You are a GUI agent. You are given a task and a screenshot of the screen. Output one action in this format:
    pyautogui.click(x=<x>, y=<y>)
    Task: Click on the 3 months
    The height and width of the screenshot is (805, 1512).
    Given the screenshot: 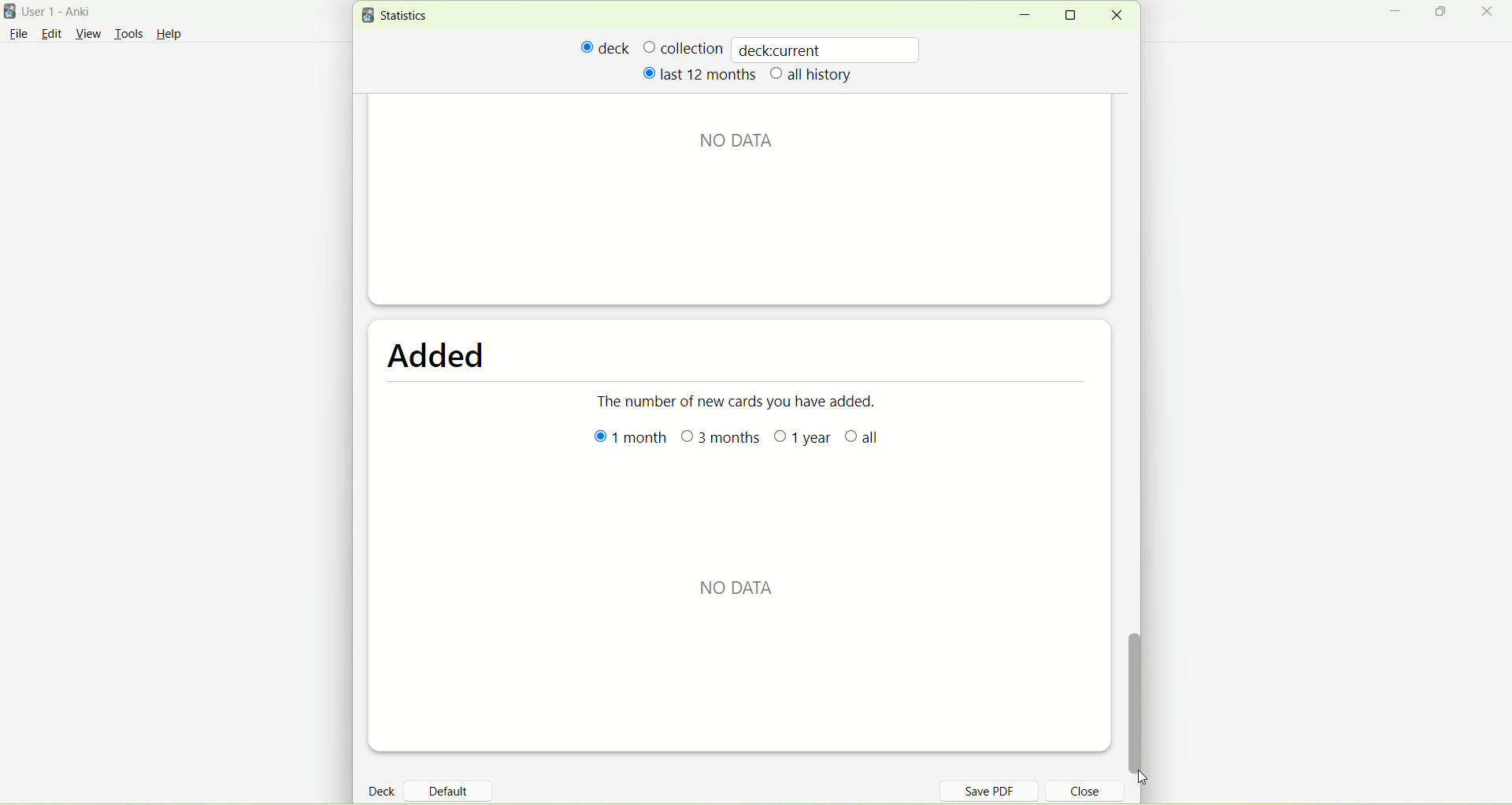 What is the action you would take?
    pyautogui.click(x=724, y=440)
    